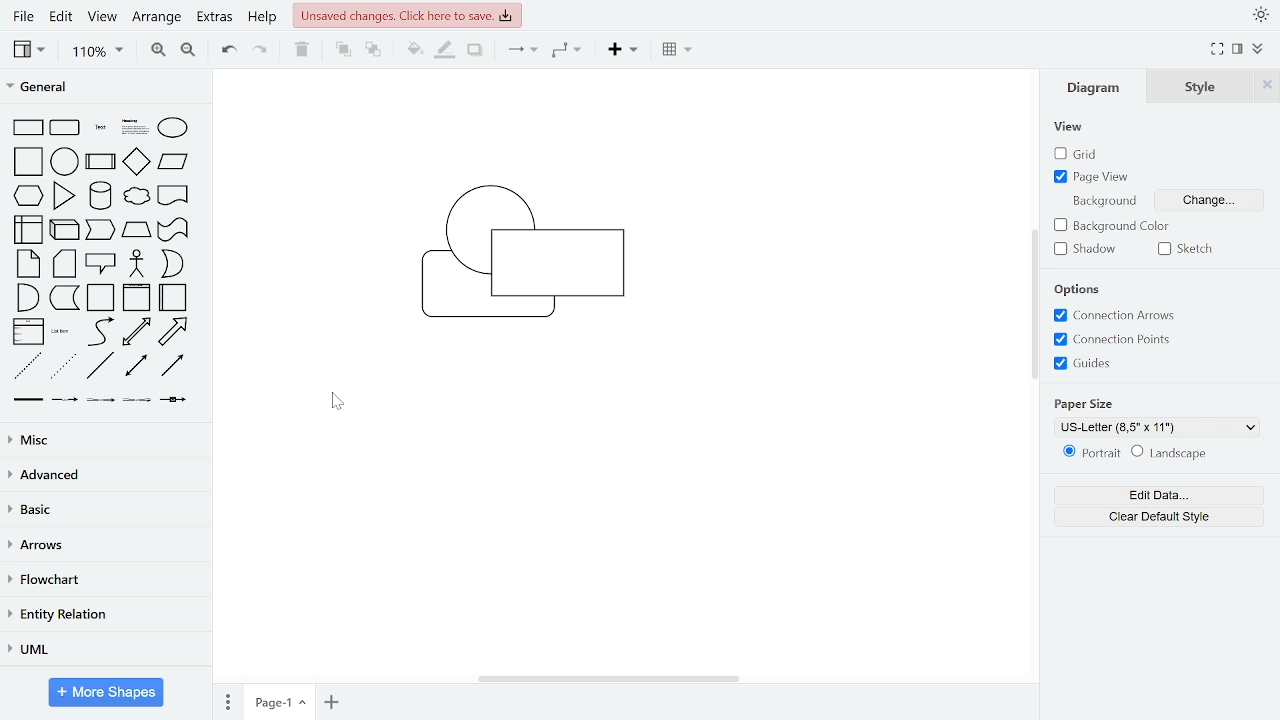  What do you see at coordinates (1078, 155) in the screenshot?
I see `grid` at bounding box center [1078, 155].